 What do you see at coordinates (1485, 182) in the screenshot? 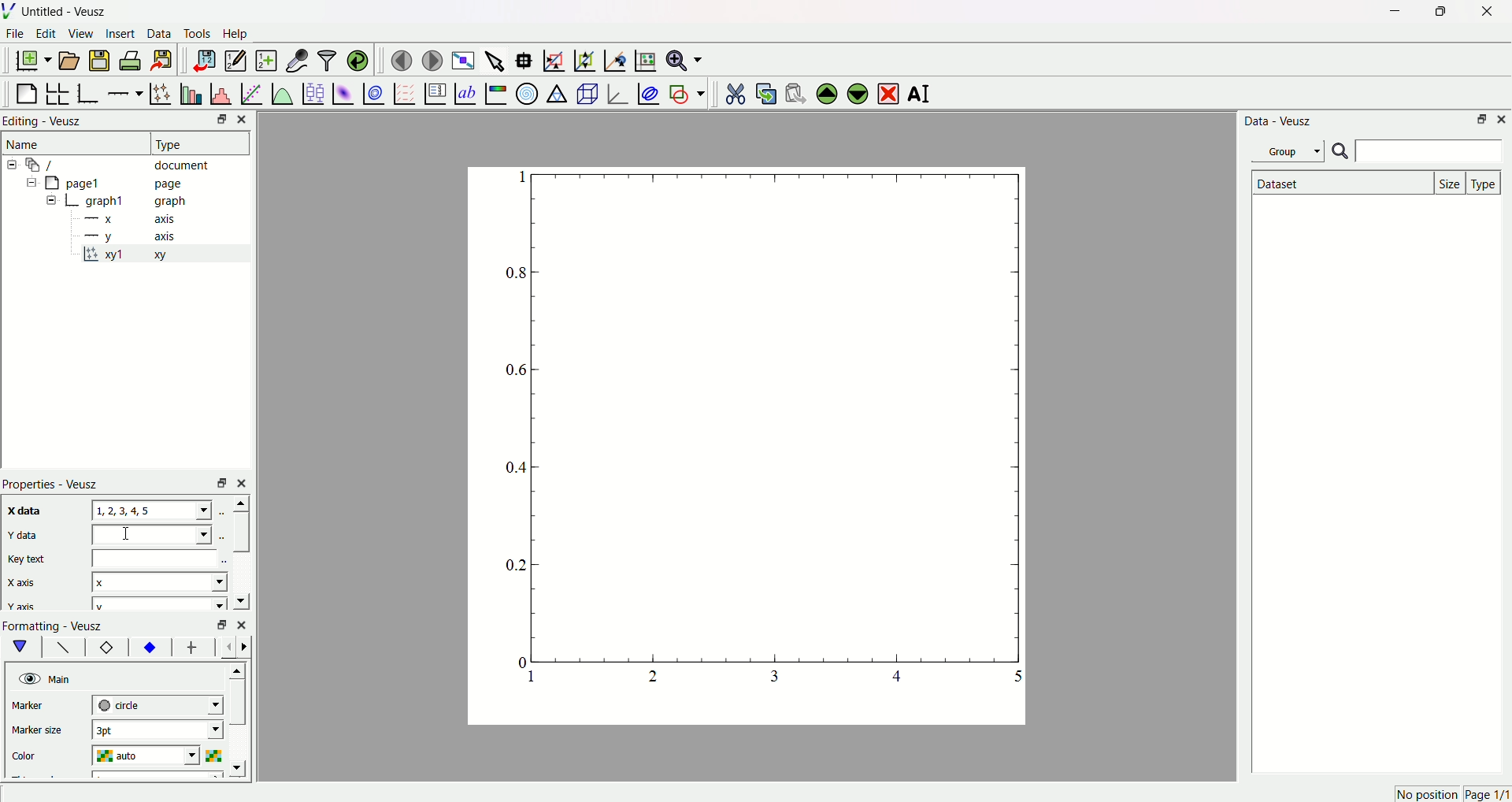
I see `Type` at bounding box center [1485, 182].